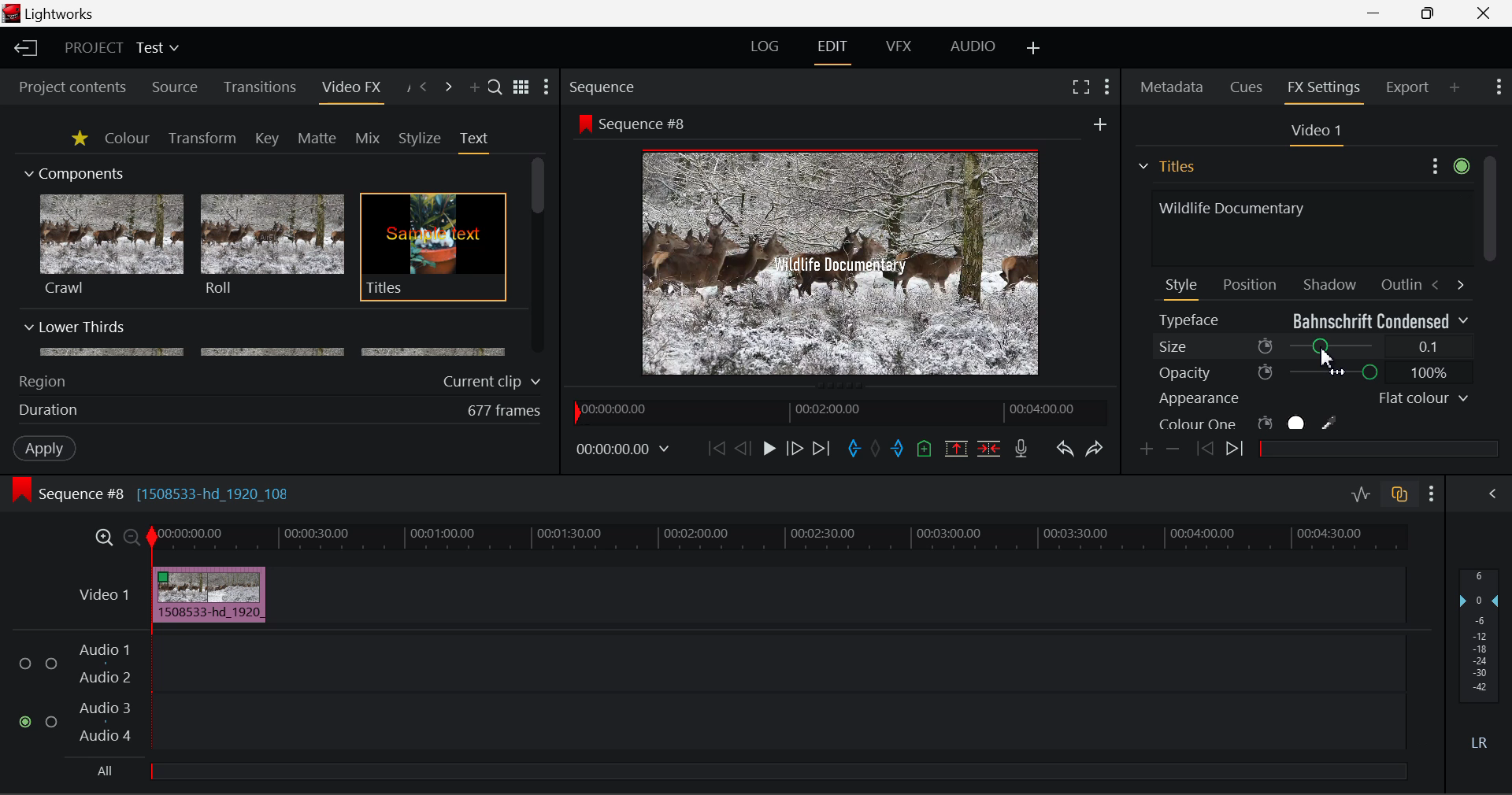  I want to click on Settings, so click(1447, 164).